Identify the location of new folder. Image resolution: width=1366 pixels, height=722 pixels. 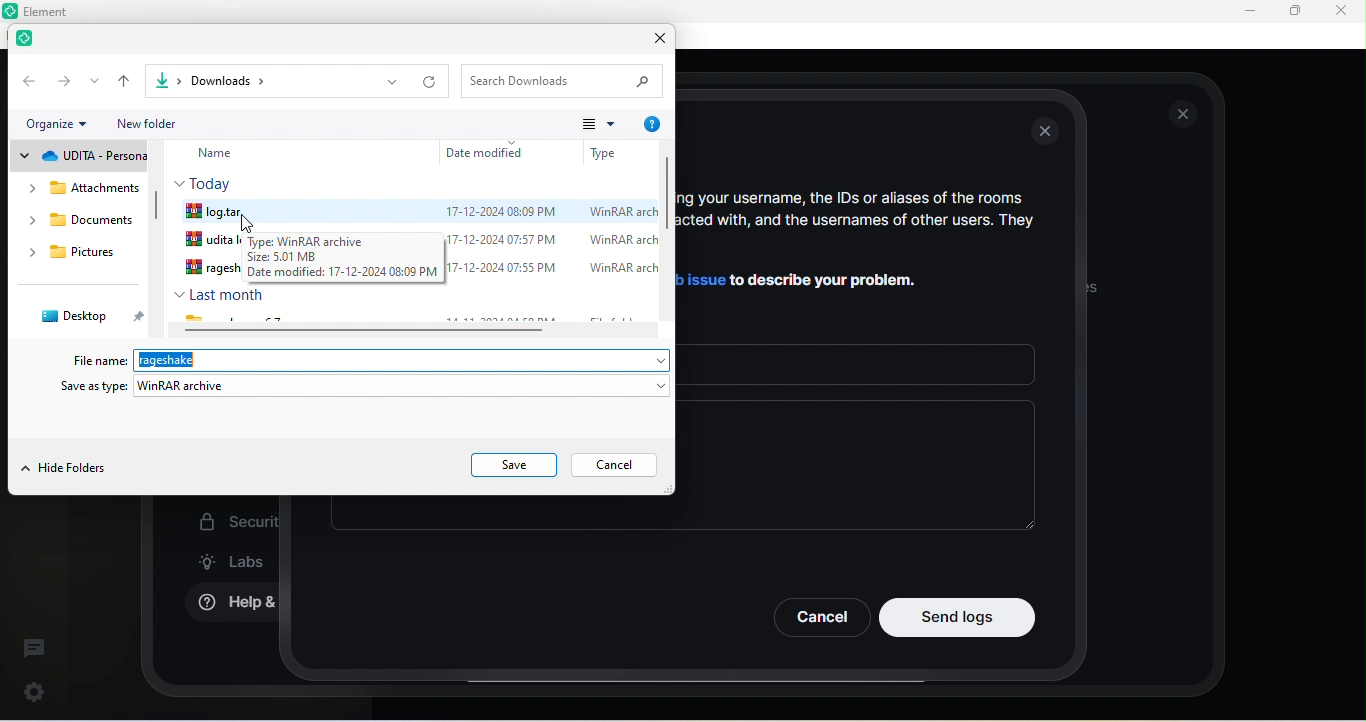
(161, 123).